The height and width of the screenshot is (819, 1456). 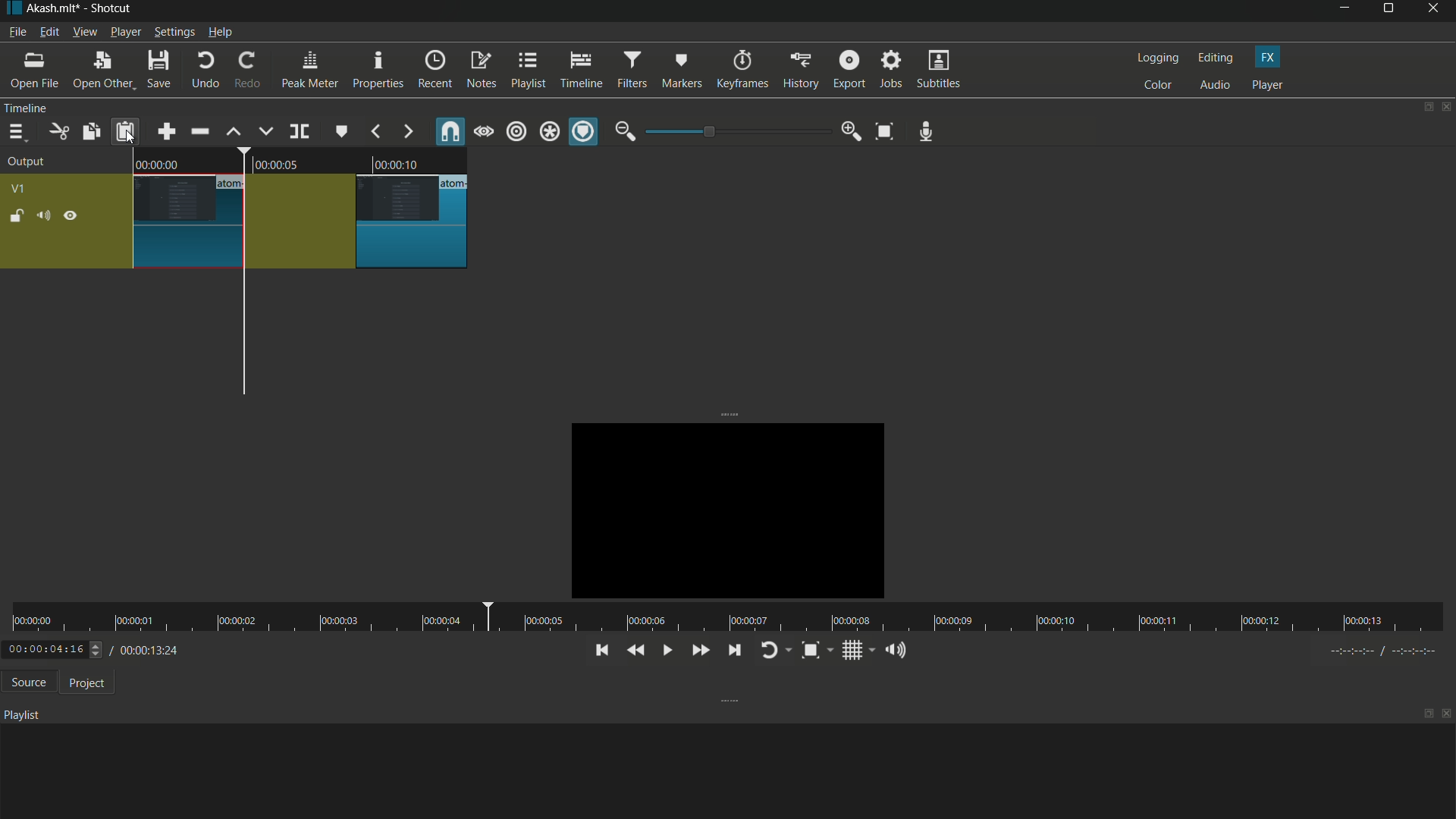 I want to click on export, so click(x=847, y=70).